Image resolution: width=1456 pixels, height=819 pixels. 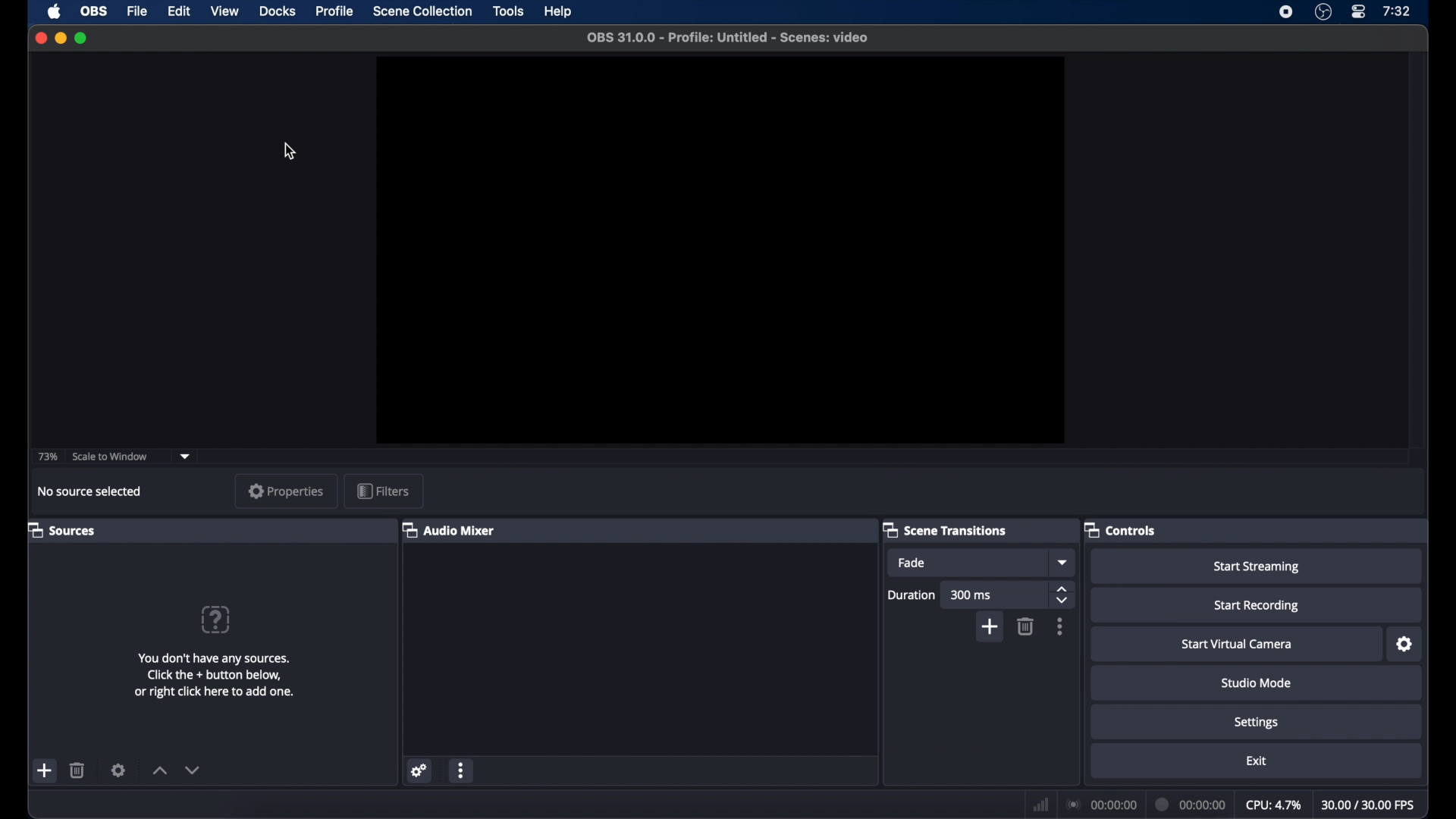 What do you see at coordinates (1257, 723) in the screenshot?
I see `settings` at bounding box center [1257, 723].